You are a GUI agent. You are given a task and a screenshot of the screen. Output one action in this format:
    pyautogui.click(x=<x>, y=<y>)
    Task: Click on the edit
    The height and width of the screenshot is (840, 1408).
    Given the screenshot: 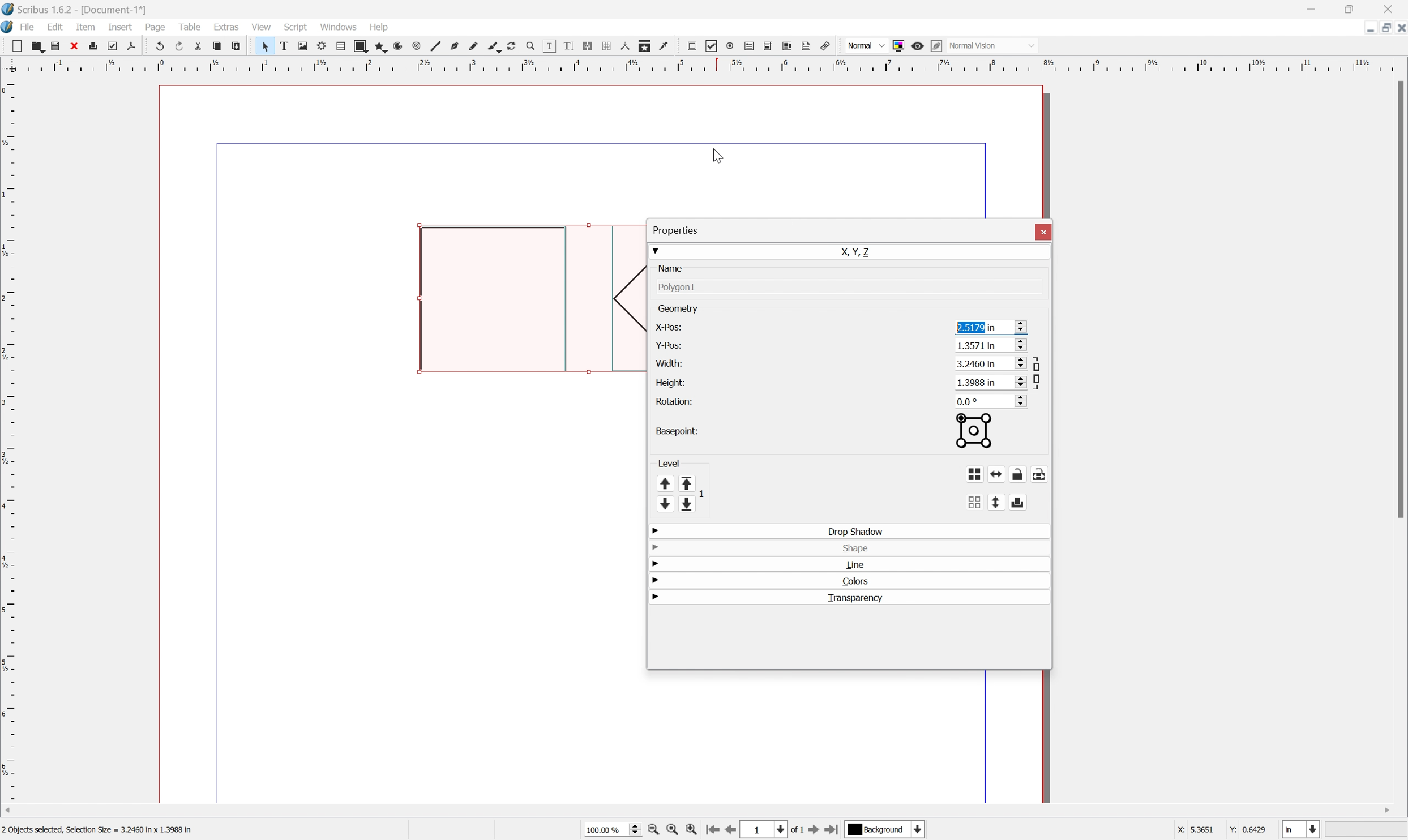 What is the action you would take?
    pyautogui.click(x=57, y=27)
    